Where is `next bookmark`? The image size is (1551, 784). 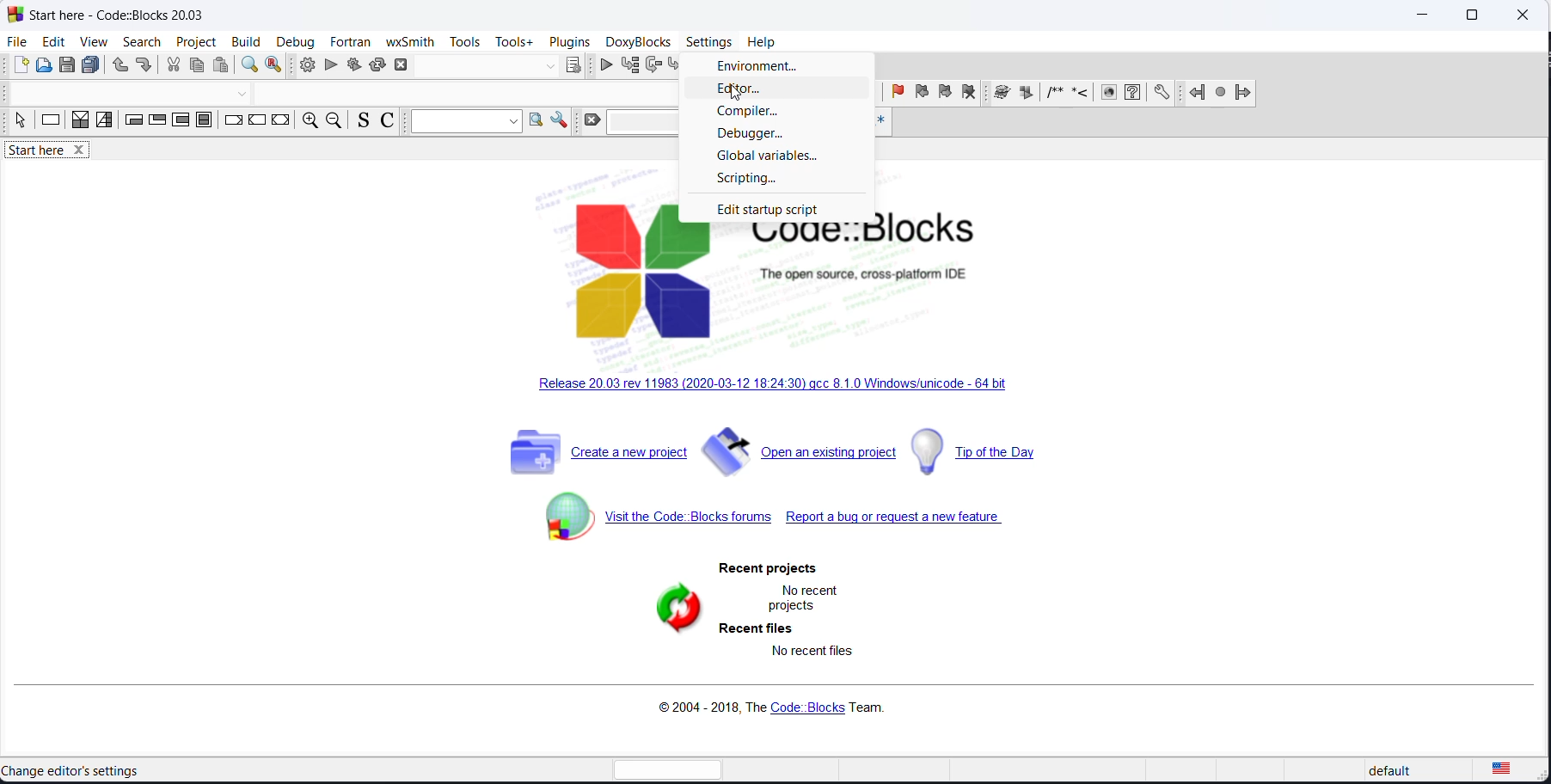
next bookmark is located at coordinates (944, 95).